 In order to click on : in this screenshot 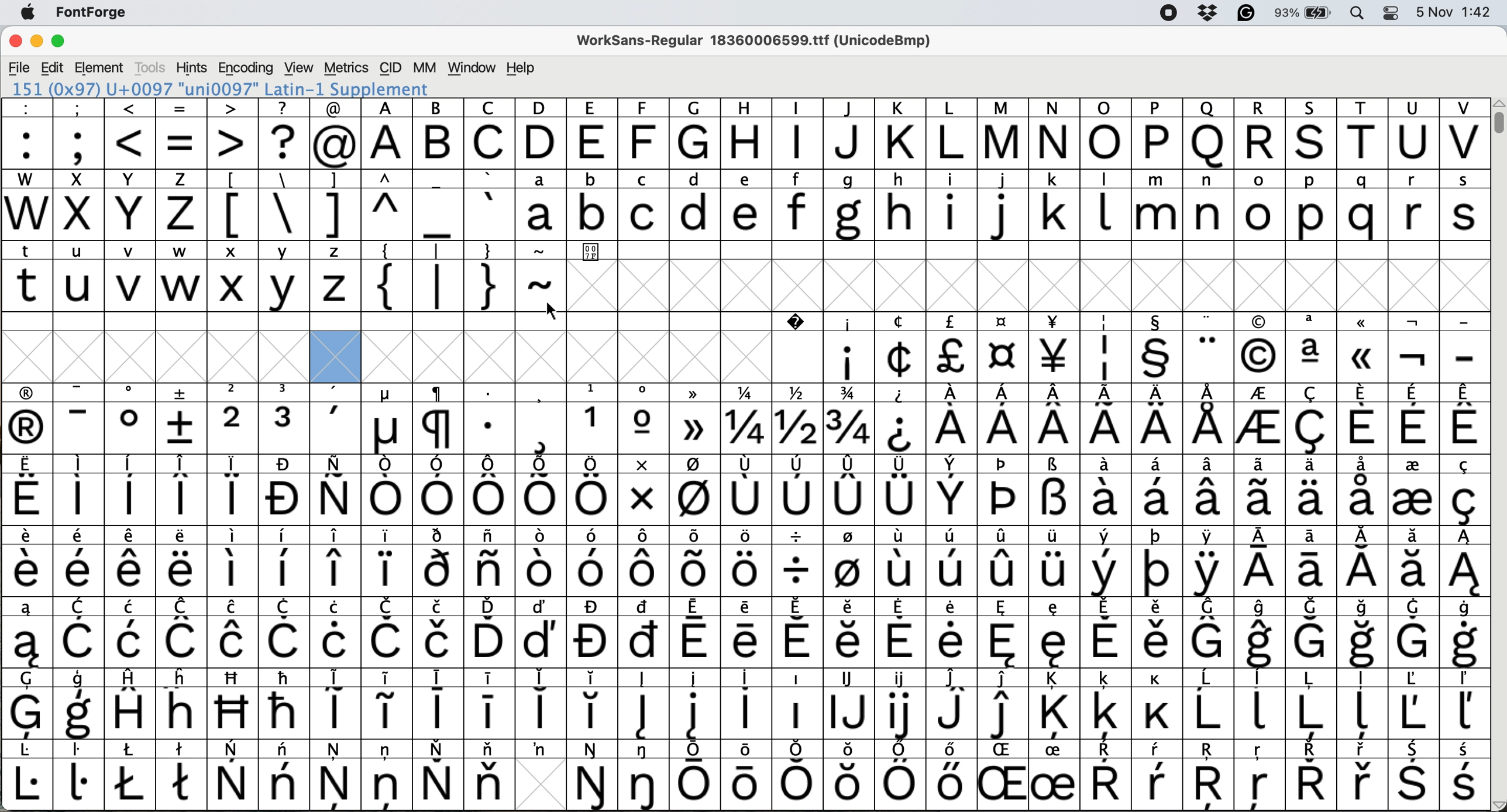, I will do `click(28, 134)`.